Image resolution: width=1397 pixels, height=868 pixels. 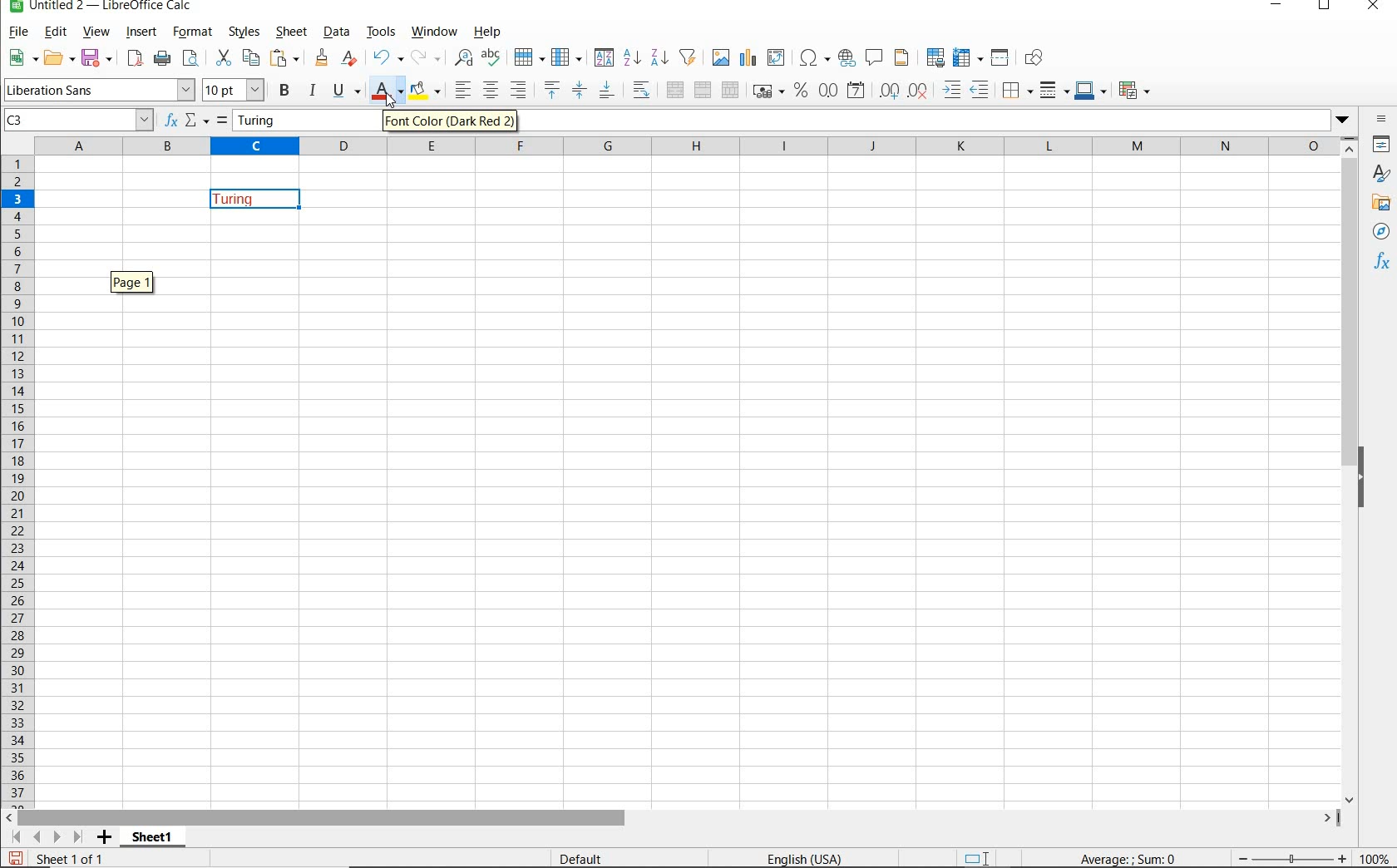 I want to click on SAVE, so click(x=14, y=859).